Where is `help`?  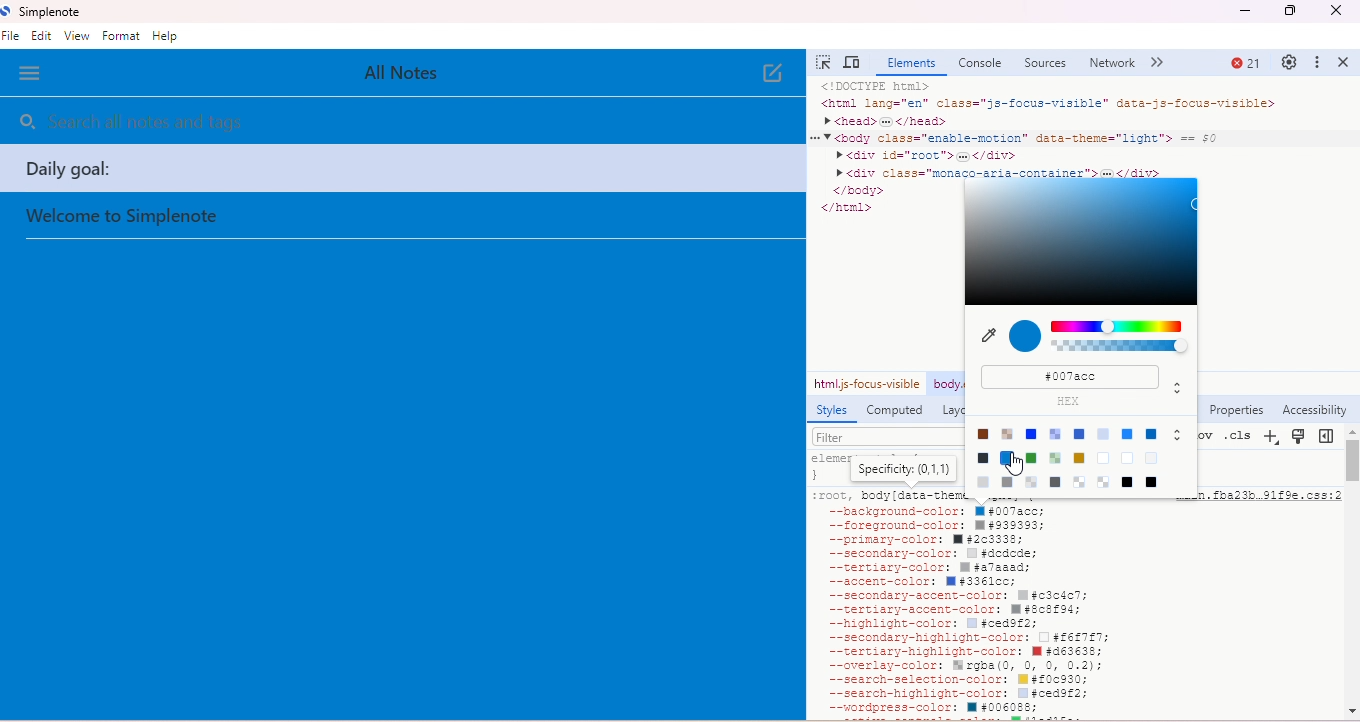
help is located at coordinates (167, 36).